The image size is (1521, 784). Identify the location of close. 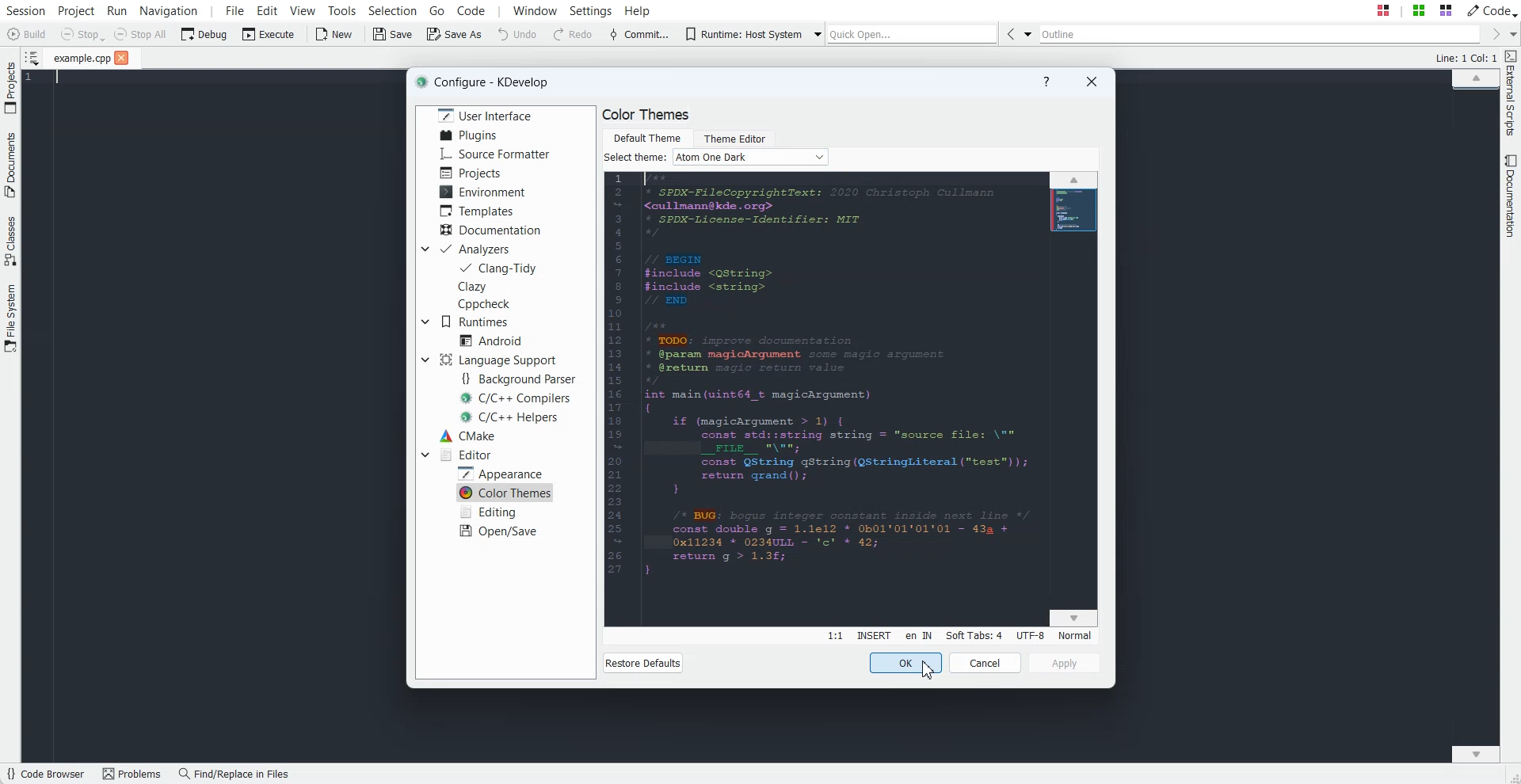
(122, 59).